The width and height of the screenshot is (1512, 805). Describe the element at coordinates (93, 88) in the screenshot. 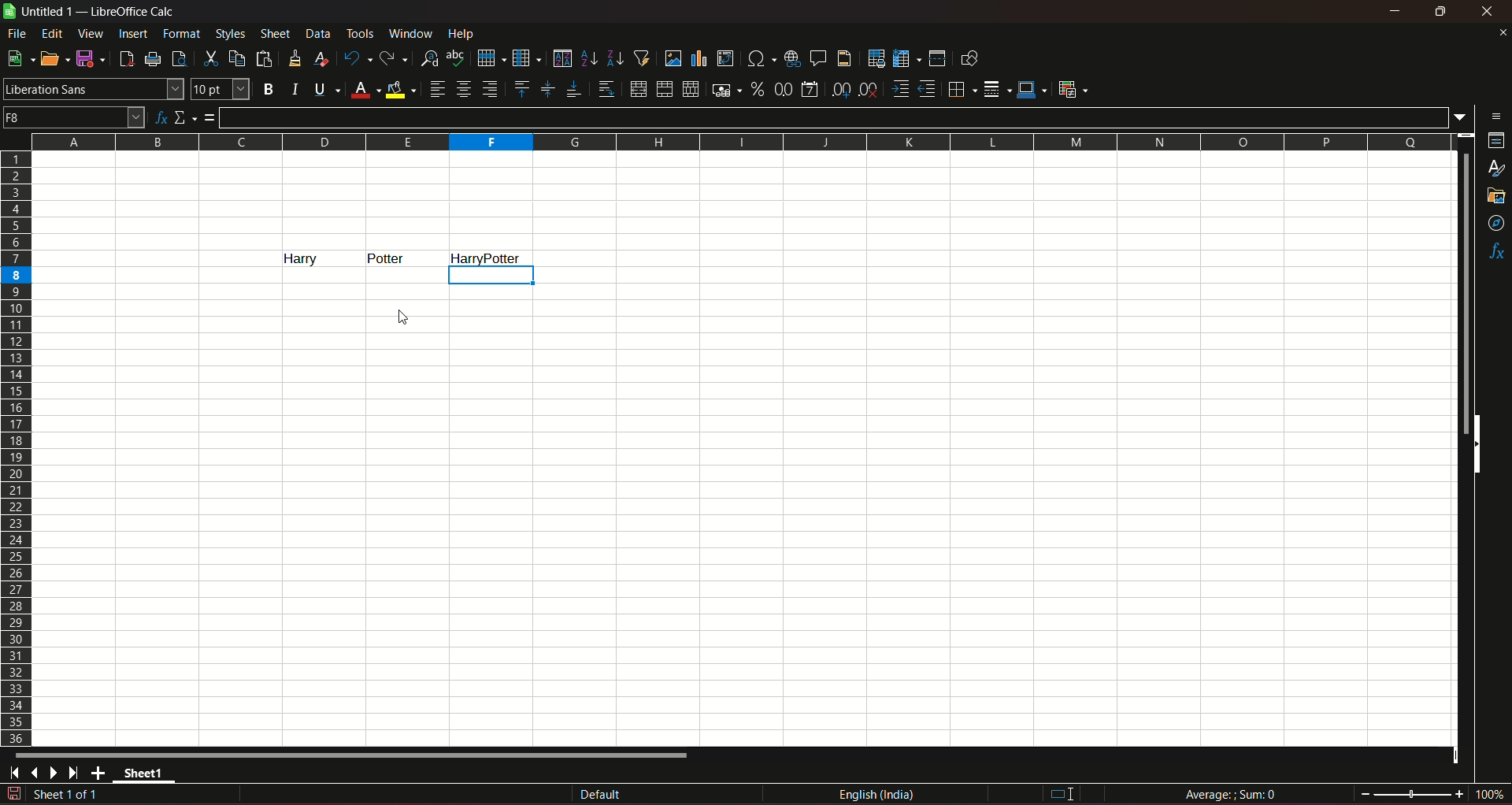

I see `font name` at that location.